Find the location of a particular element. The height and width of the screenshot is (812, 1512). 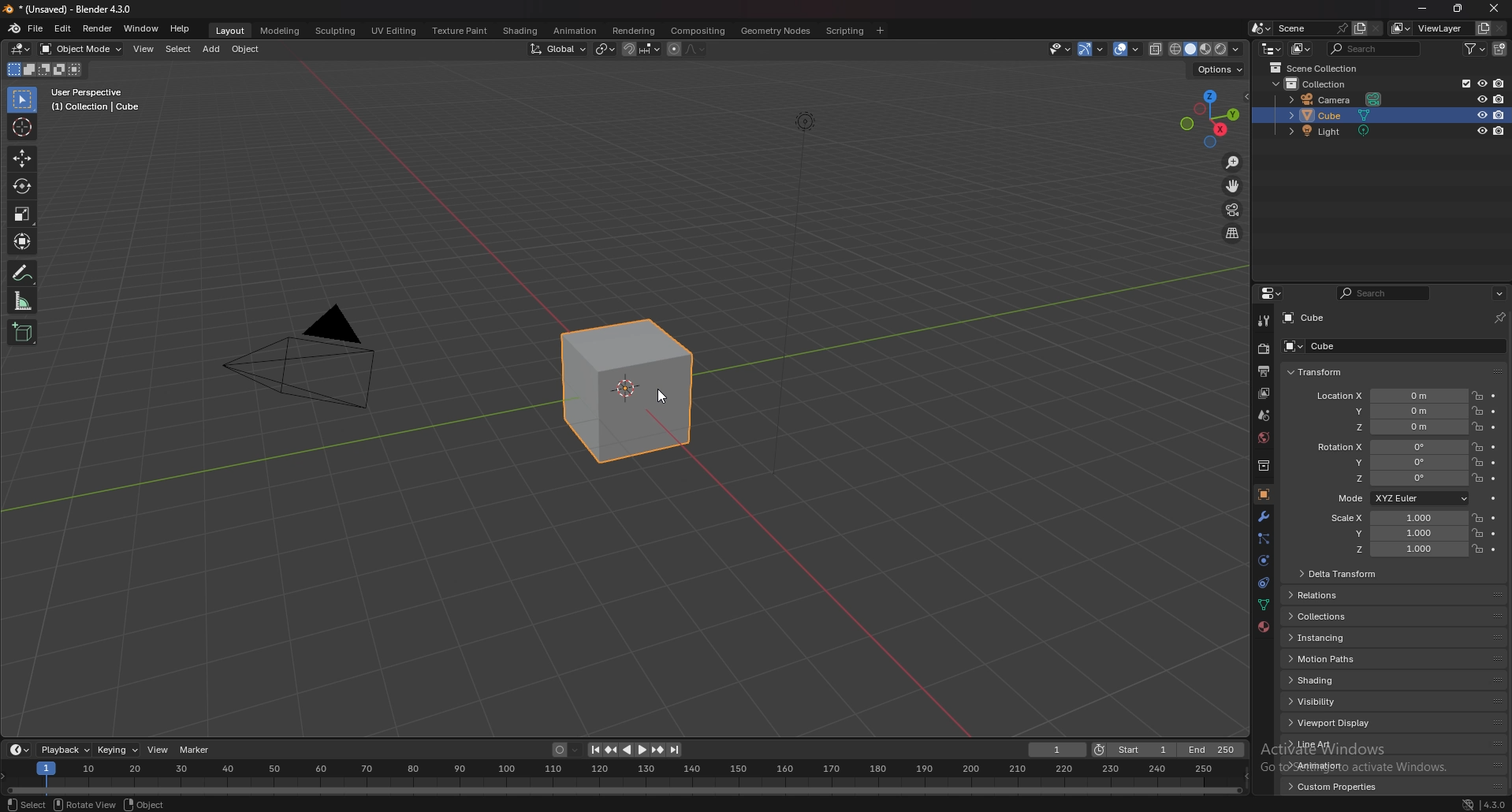

lighting is located at coordinates (809, 122).